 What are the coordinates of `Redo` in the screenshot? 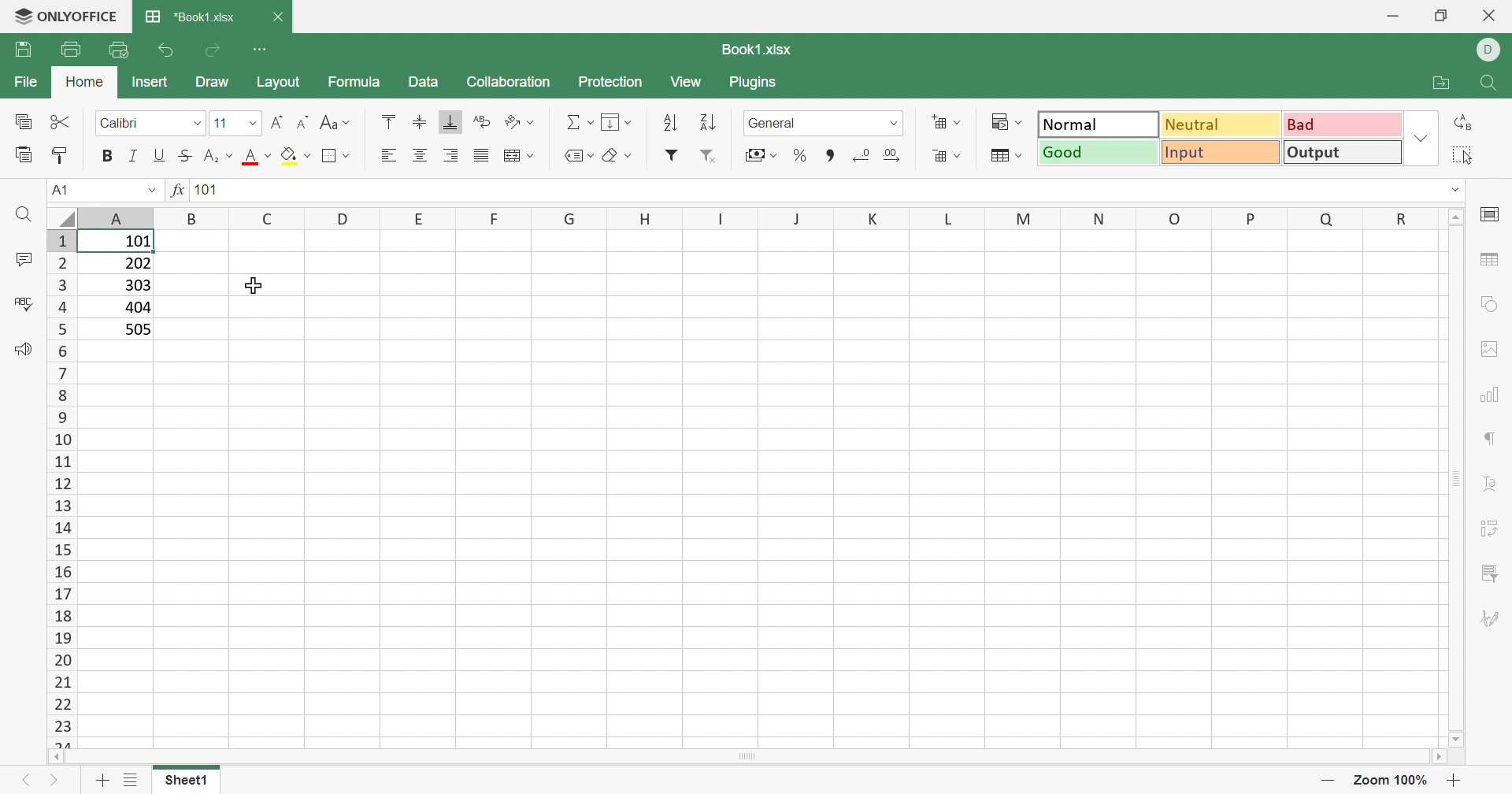 It's located at (216, 50).